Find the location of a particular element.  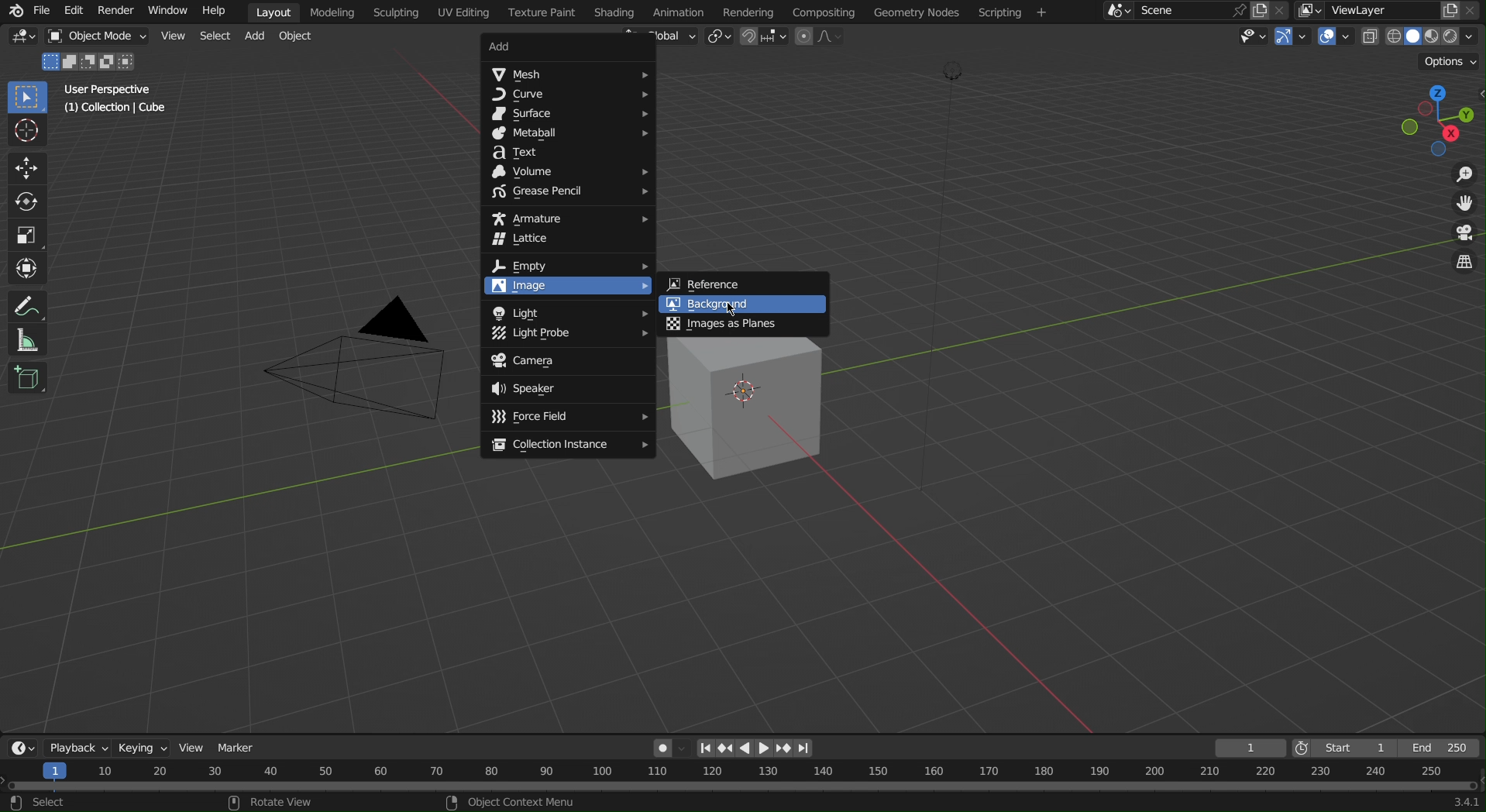

Image is located at coordinates (564, 287).